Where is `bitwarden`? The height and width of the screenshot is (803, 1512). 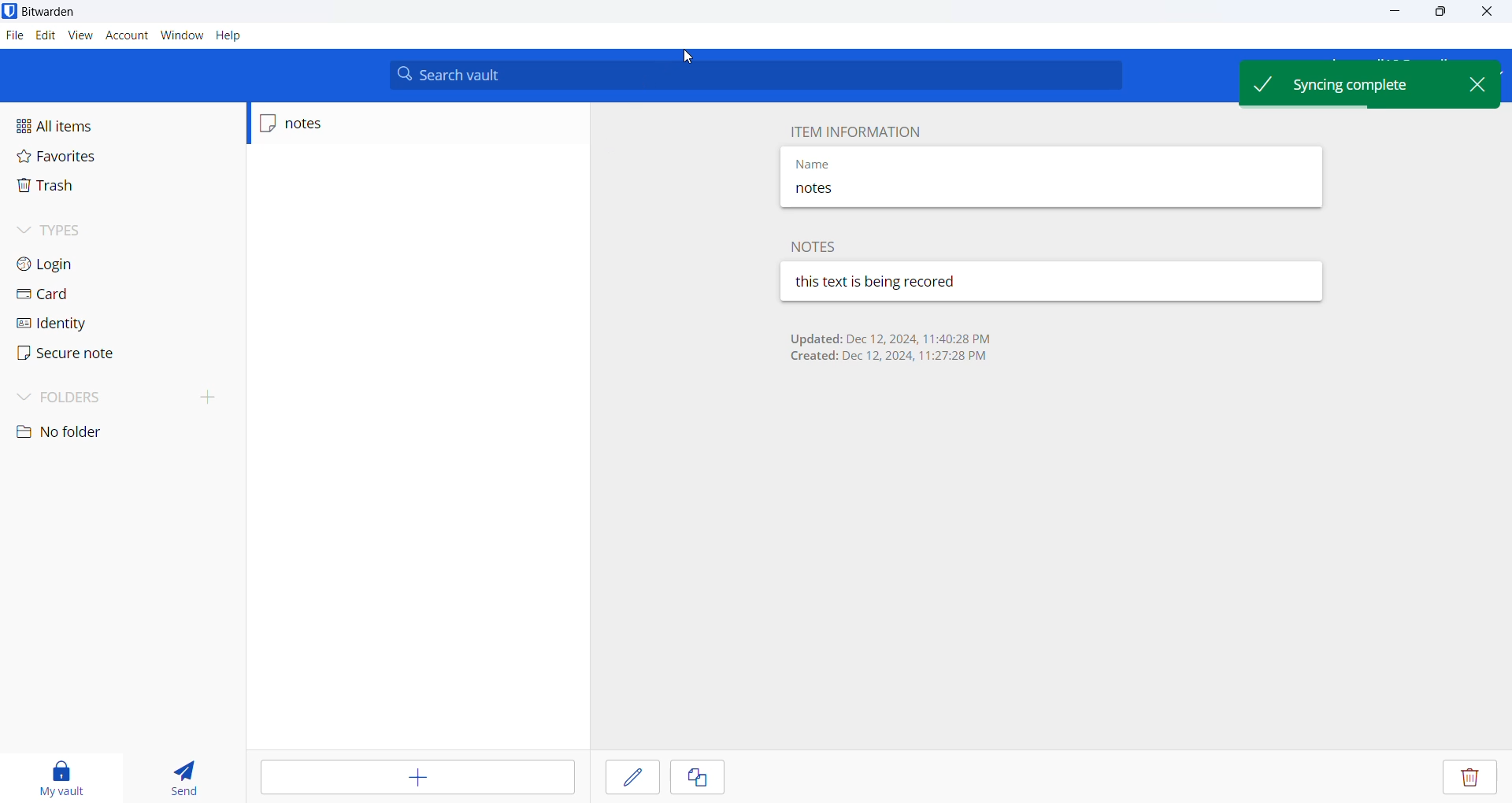 bitwarden is located at coordinates (46, 11).